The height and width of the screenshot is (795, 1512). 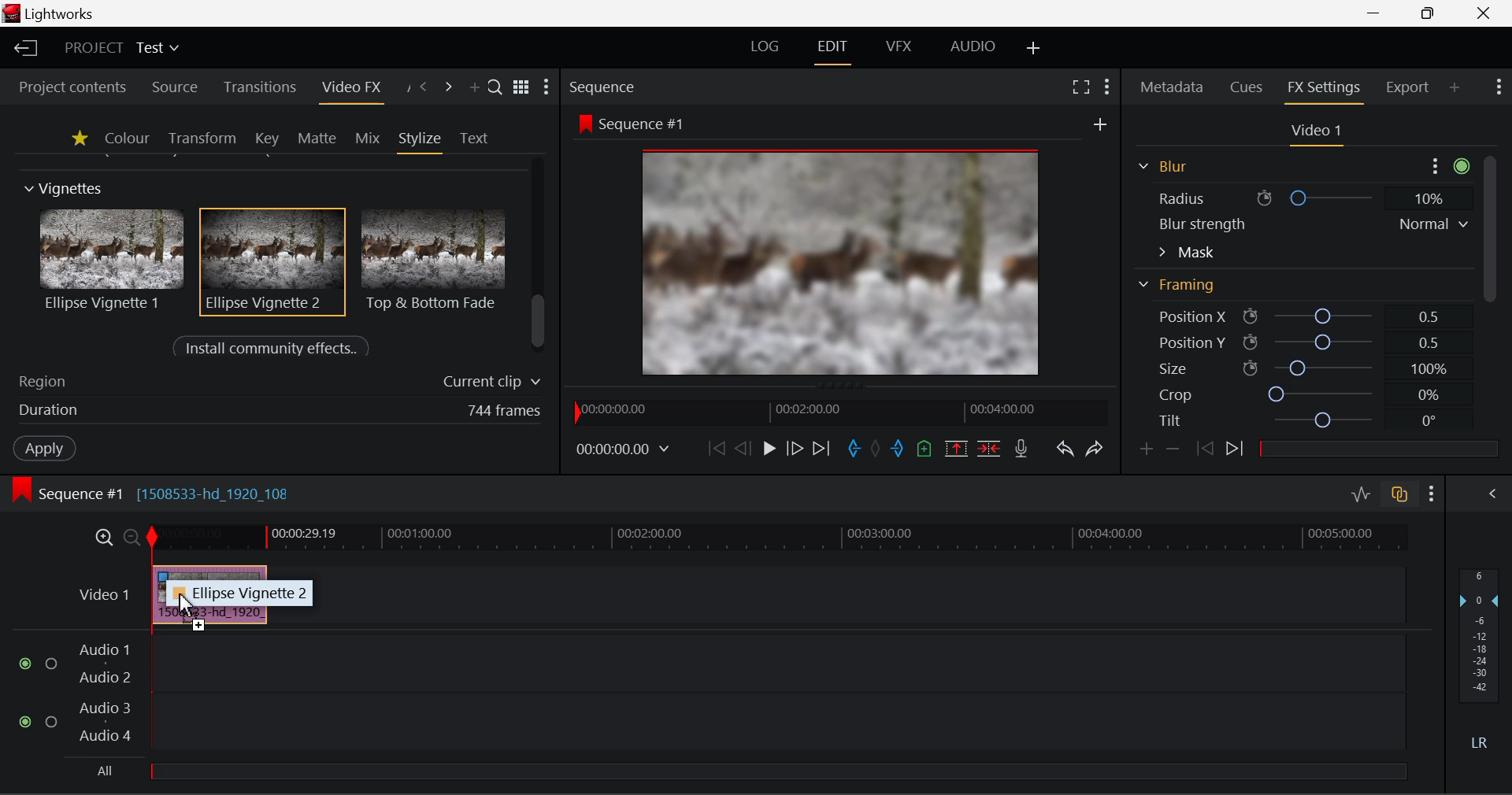 What do you see at coordinates (435, 258) in the screenshot?
I see `Top & Bottom Fade` at bounding box center [435, 258].